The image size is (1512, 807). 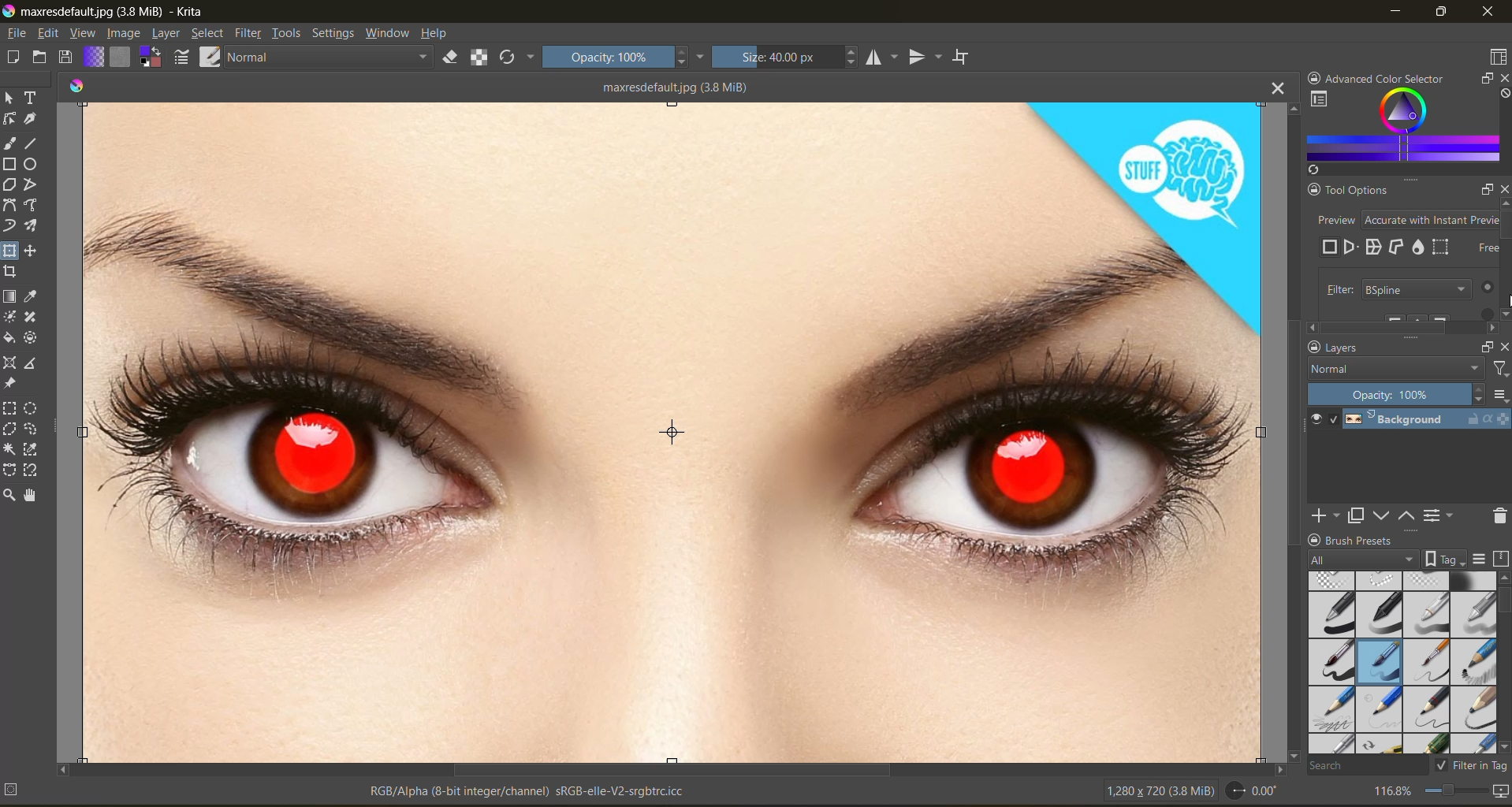 I want to click on layer, so click(x=1429, y=420).